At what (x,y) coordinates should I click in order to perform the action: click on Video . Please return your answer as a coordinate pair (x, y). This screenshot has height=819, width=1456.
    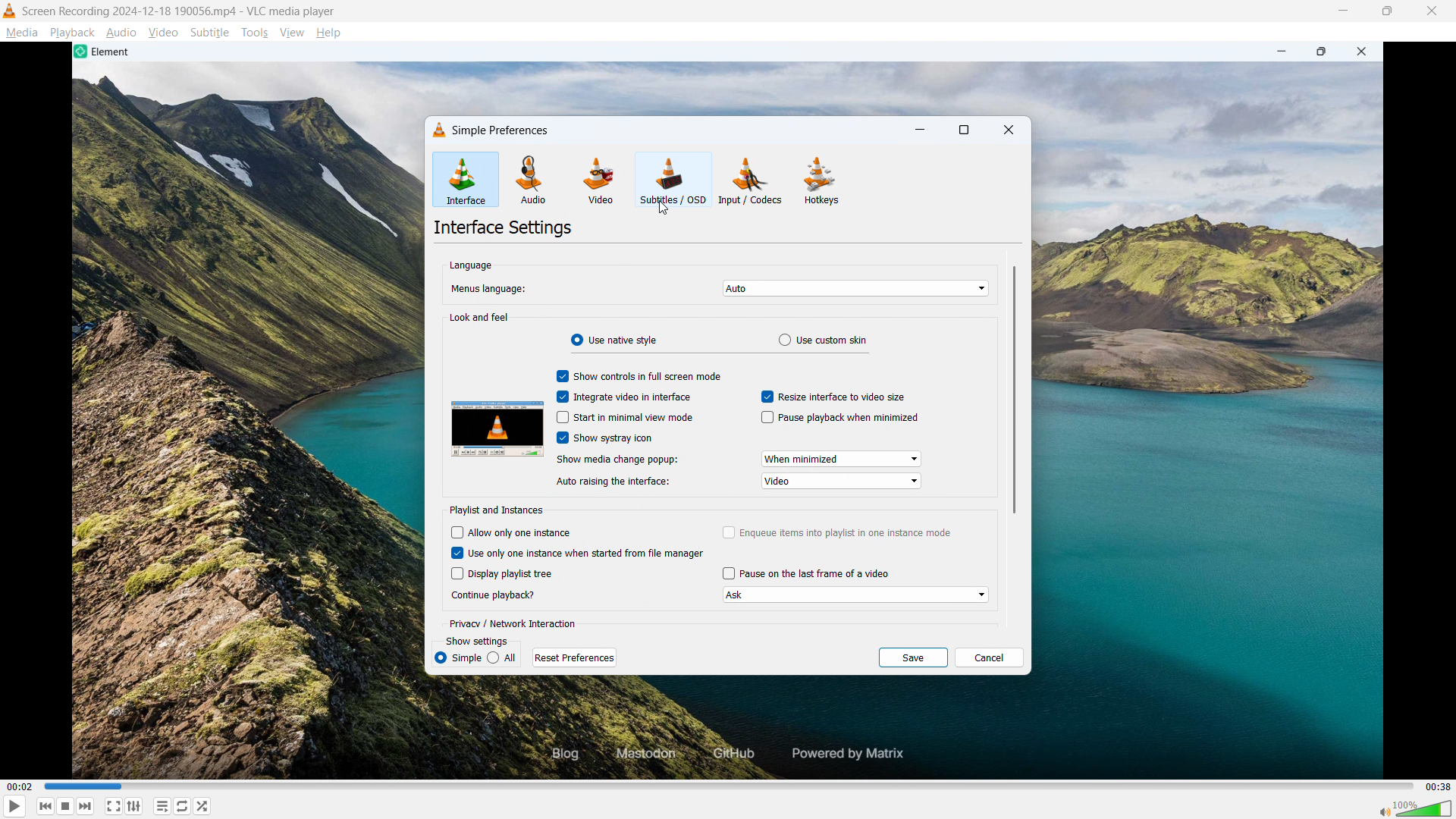
    Looking at the image, I should click on (601, 180).